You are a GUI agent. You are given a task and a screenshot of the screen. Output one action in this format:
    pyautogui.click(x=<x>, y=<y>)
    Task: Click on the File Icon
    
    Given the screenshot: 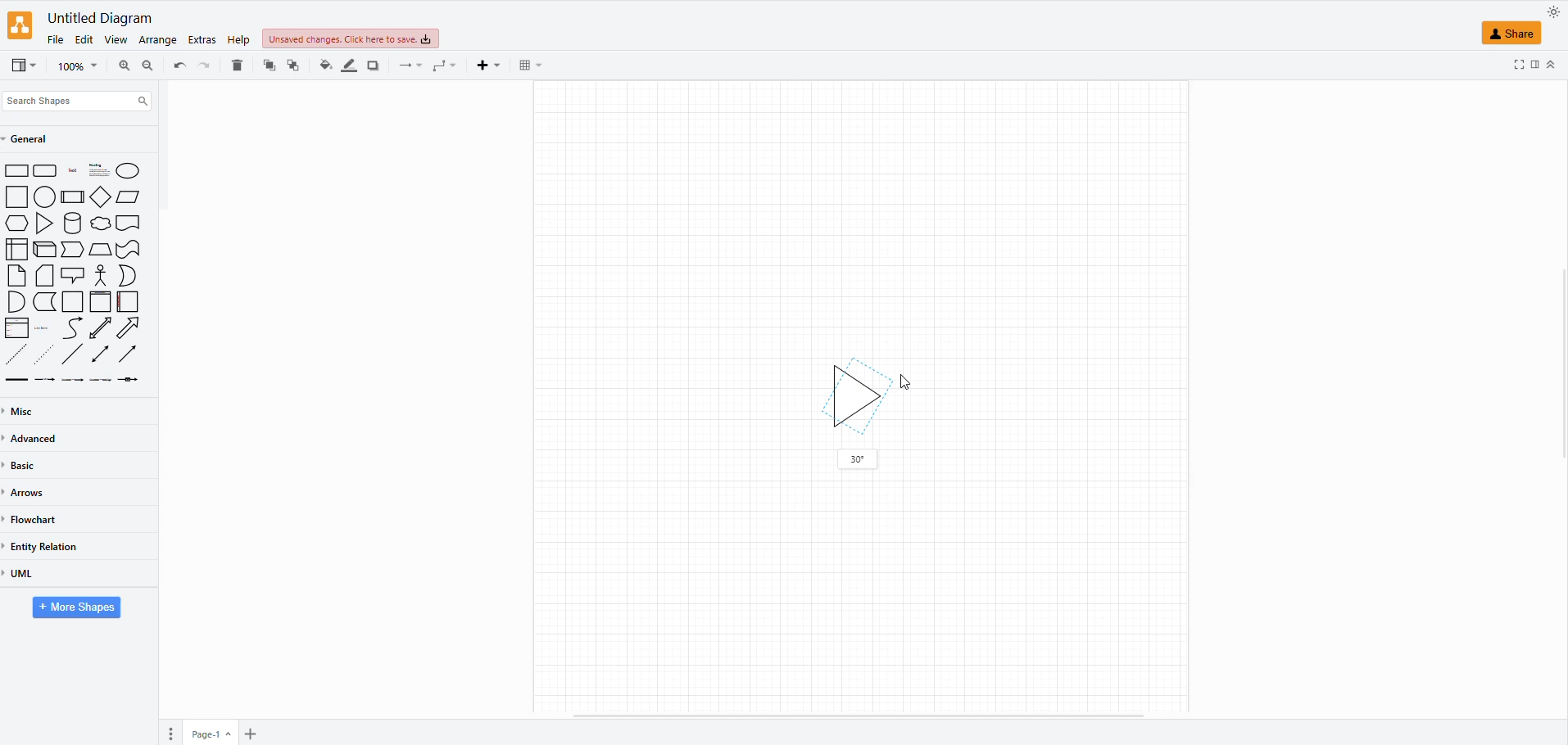 What is the action you would take?
    pyautogui.click(x=17, y=276)
    